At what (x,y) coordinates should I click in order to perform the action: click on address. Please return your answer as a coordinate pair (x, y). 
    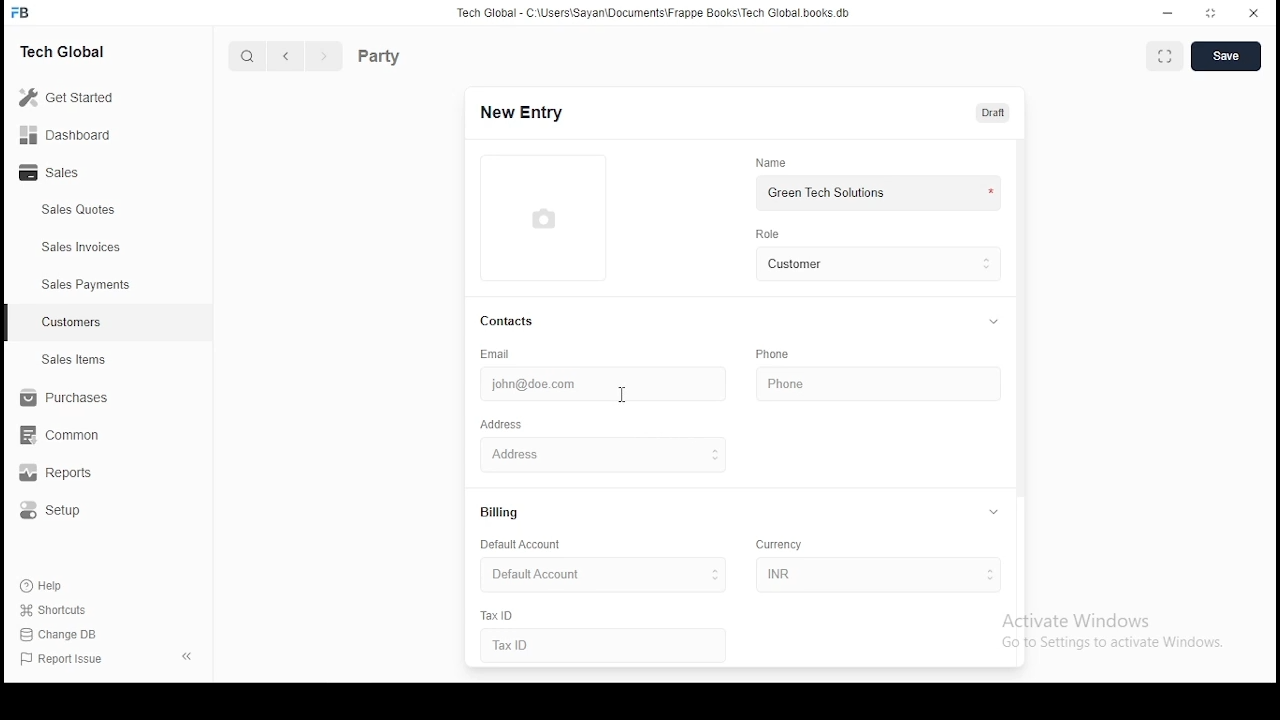
    Looking at the image, I should click on (502, 426).